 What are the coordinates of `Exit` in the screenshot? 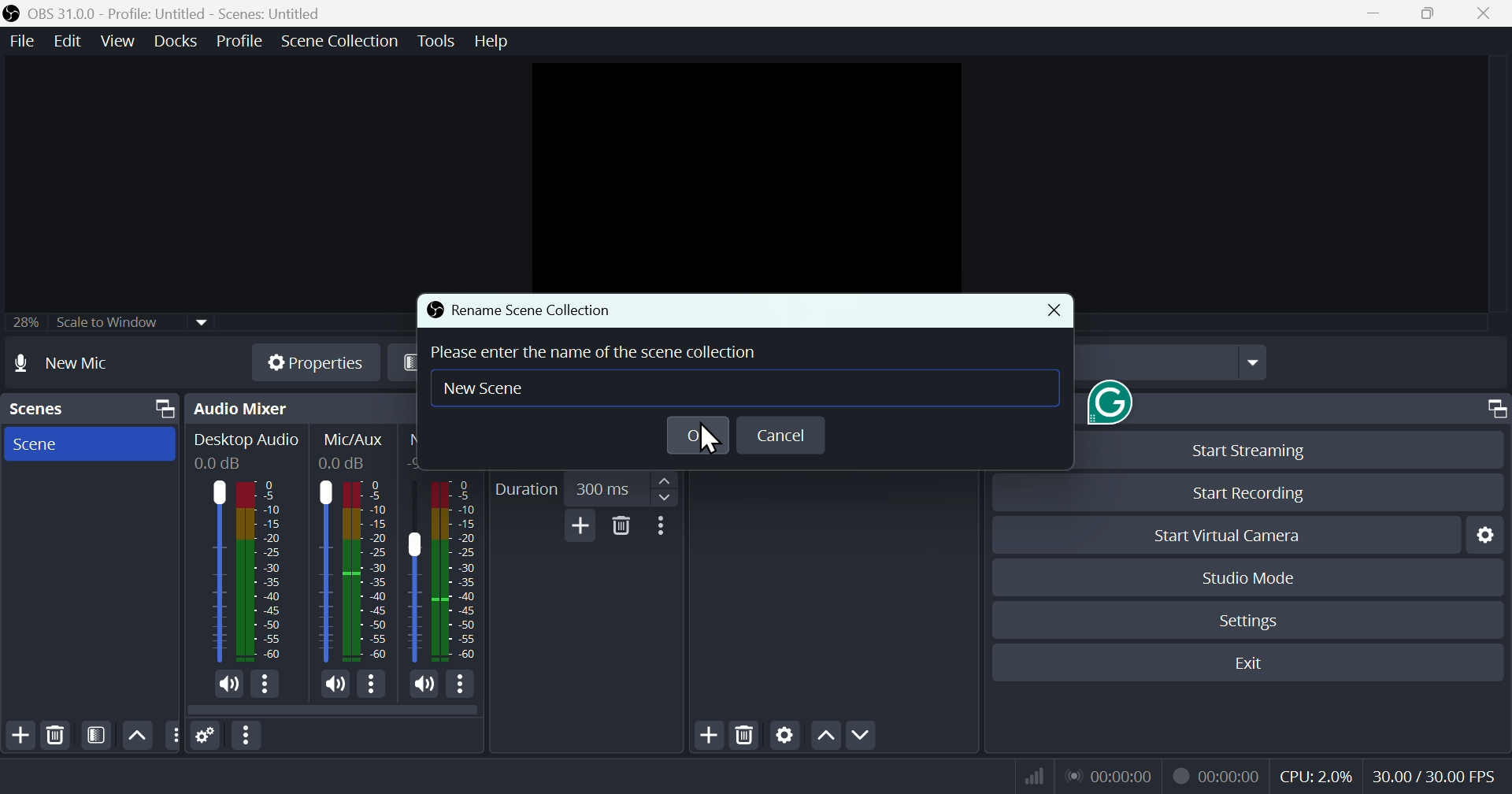 It's located at (1251, 665).